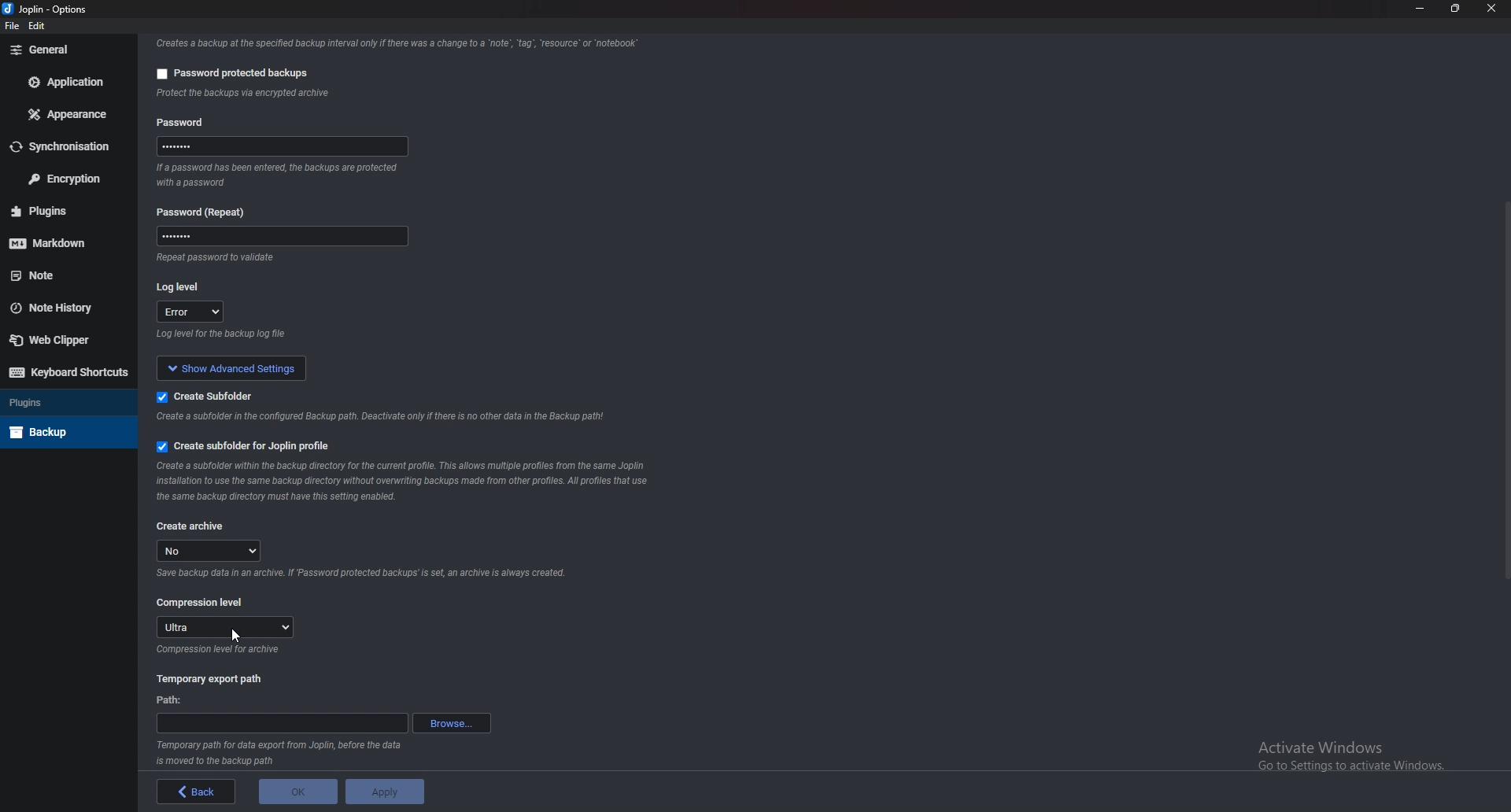  I want to click on Back up, so click(65, 430).